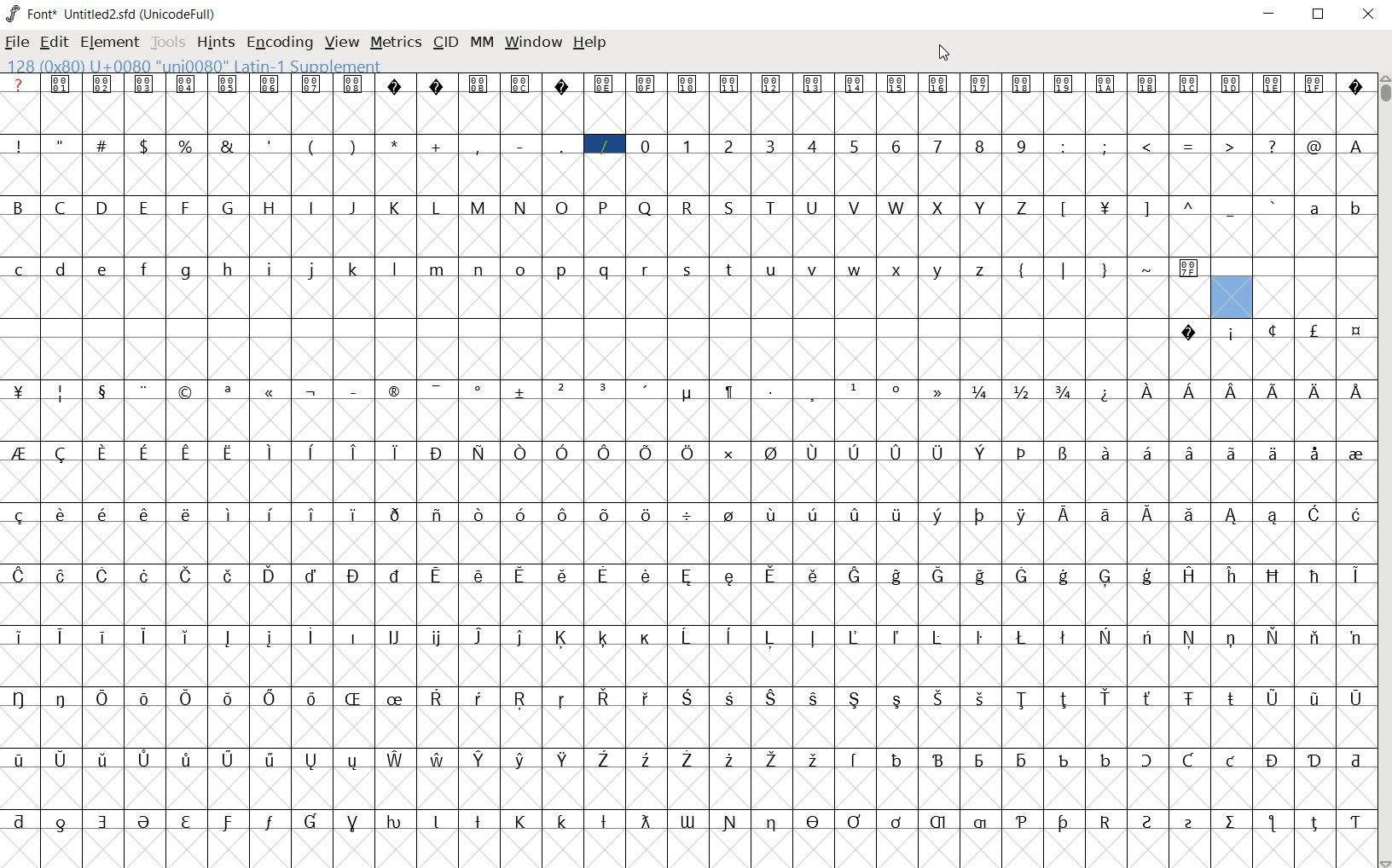 The height and width of the screenshot is (868, 1392). What do you see at coordinates (181, 12) in the screenshot?
I see `Encoding` at bounding box center [181, 12].